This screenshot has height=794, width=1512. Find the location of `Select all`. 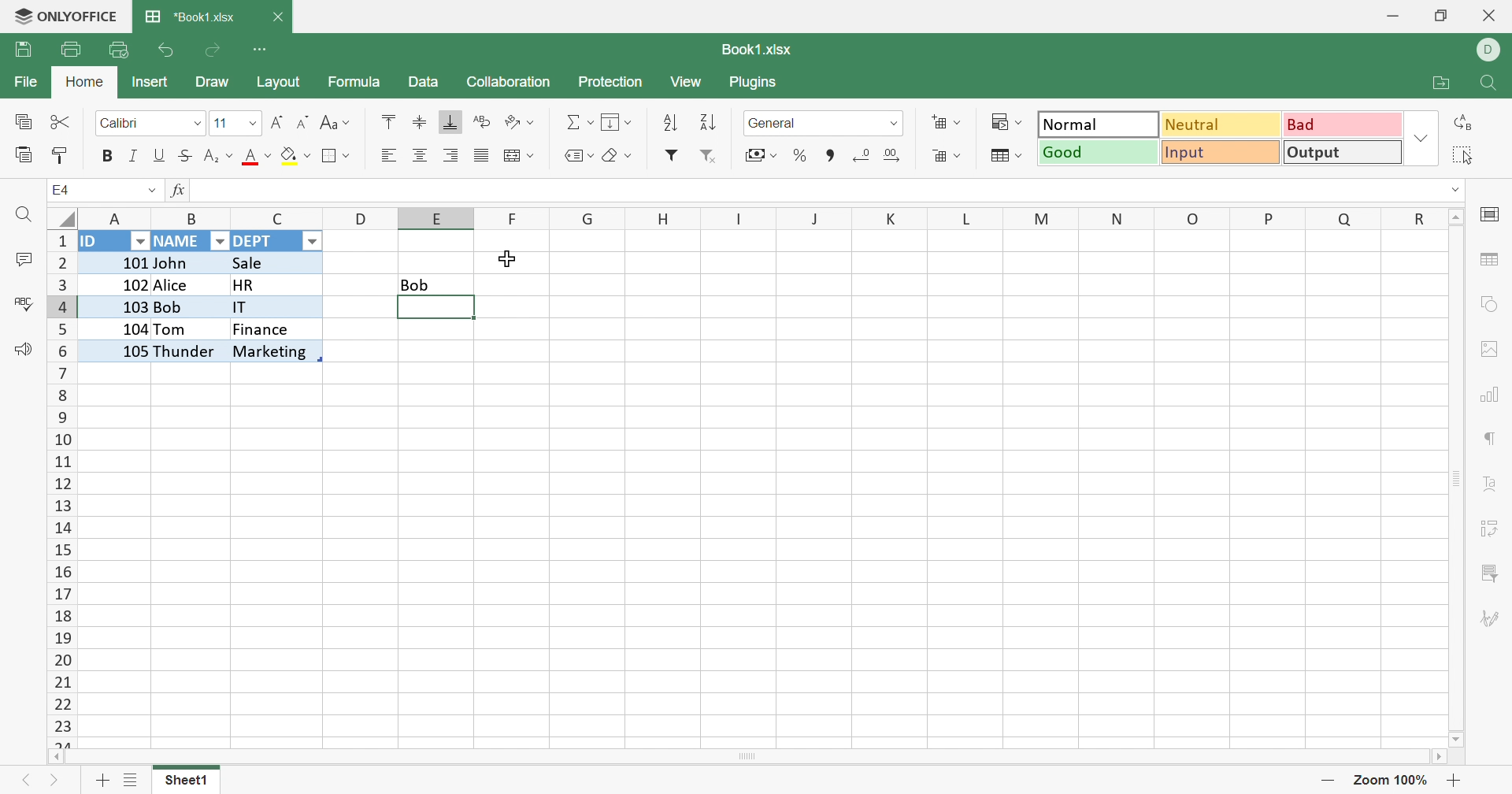

Select all is located at coordinates (1467, 155).